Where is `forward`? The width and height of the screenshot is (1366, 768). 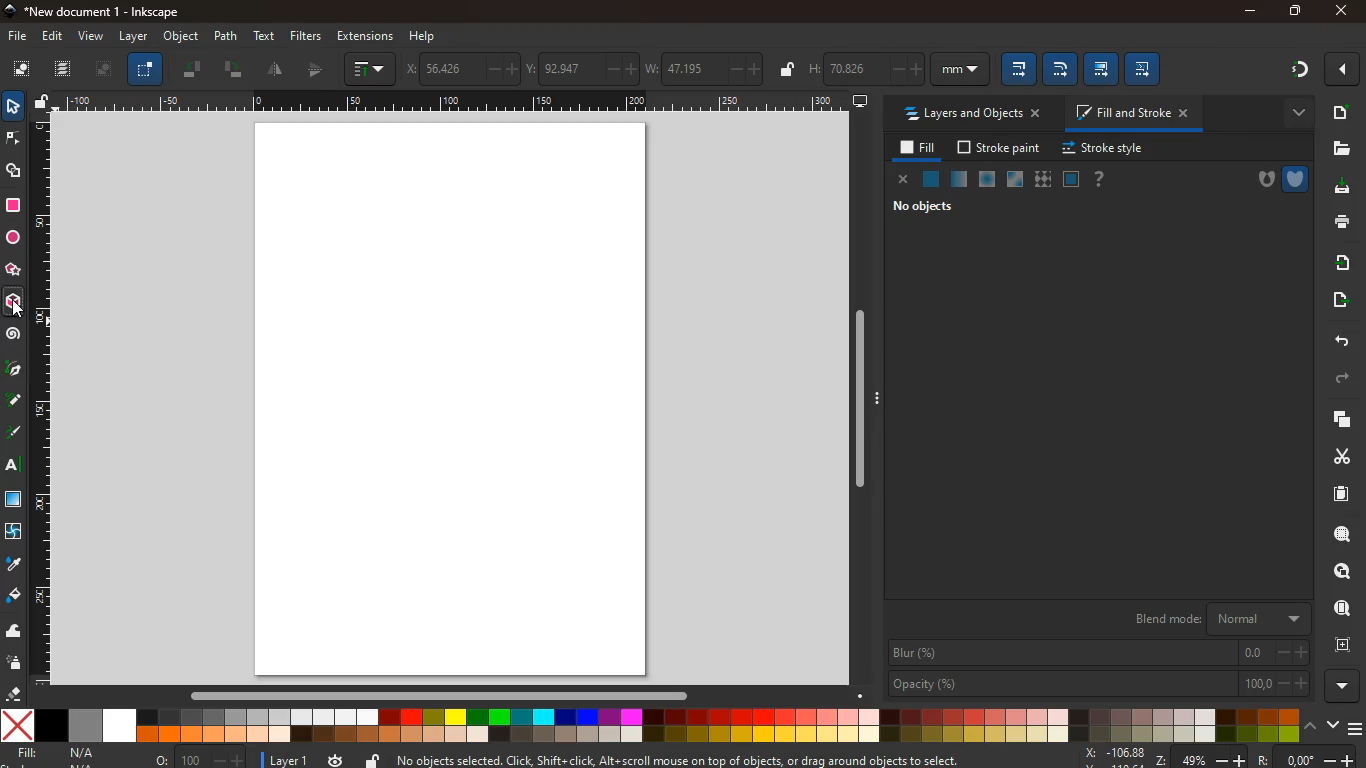
forward is located at coordinates (1348, 379).